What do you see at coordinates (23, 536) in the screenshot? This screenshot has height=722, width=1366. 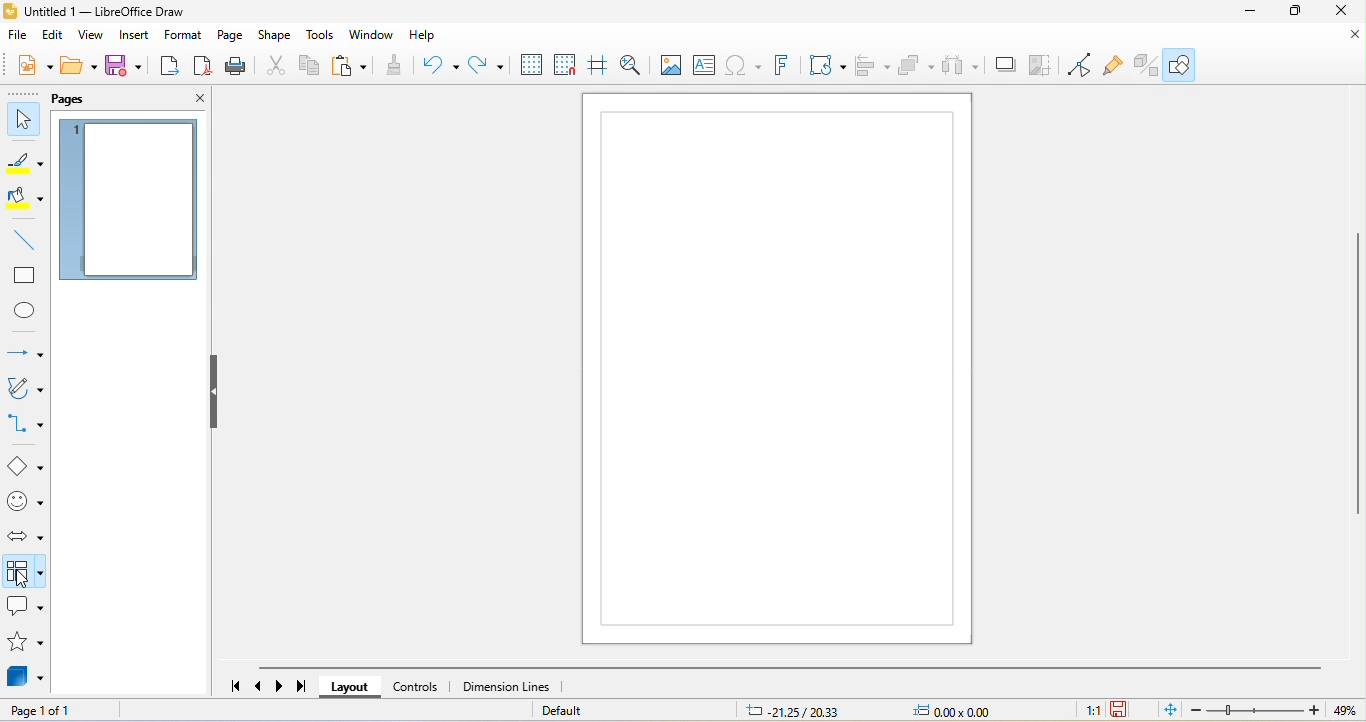 I see `block arrow` at bounding box center [23, 536].